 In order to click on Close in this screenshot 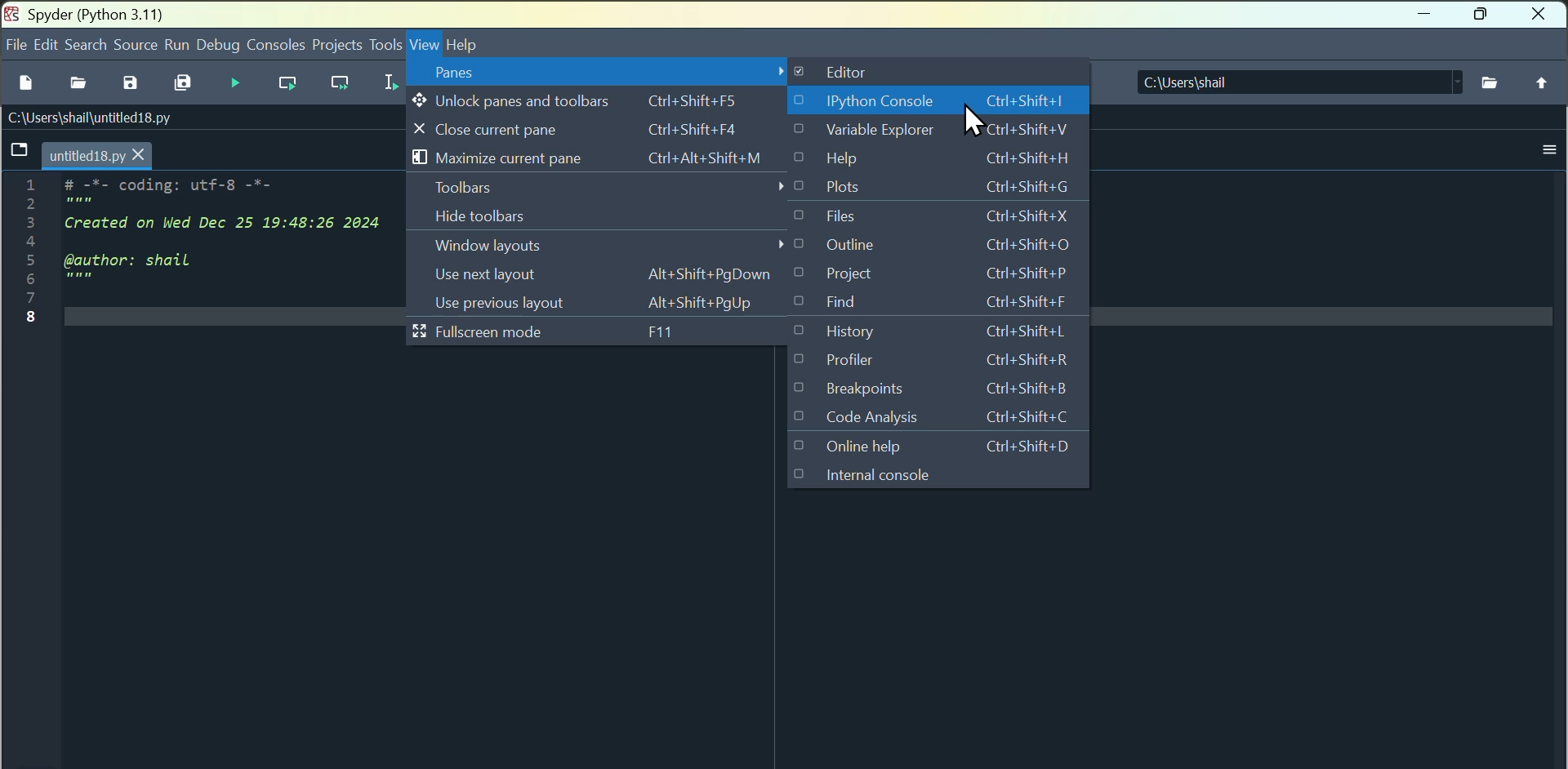, I will do `click(1542, 14)`.